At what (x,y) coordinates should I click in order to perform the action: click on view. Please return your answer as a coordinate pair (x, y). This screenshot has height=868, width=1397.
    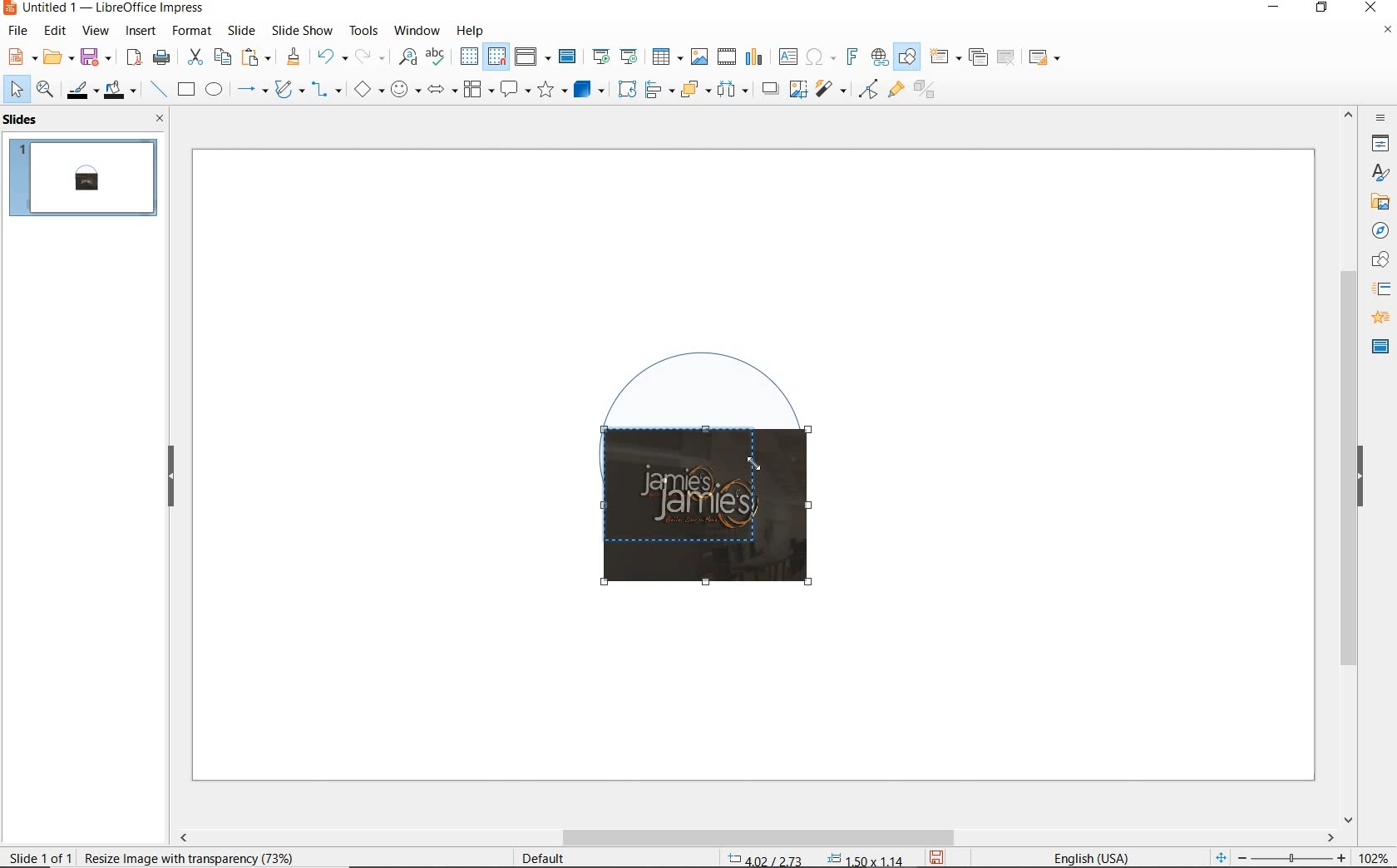
    Looking at the image, I should click on (96, 31).